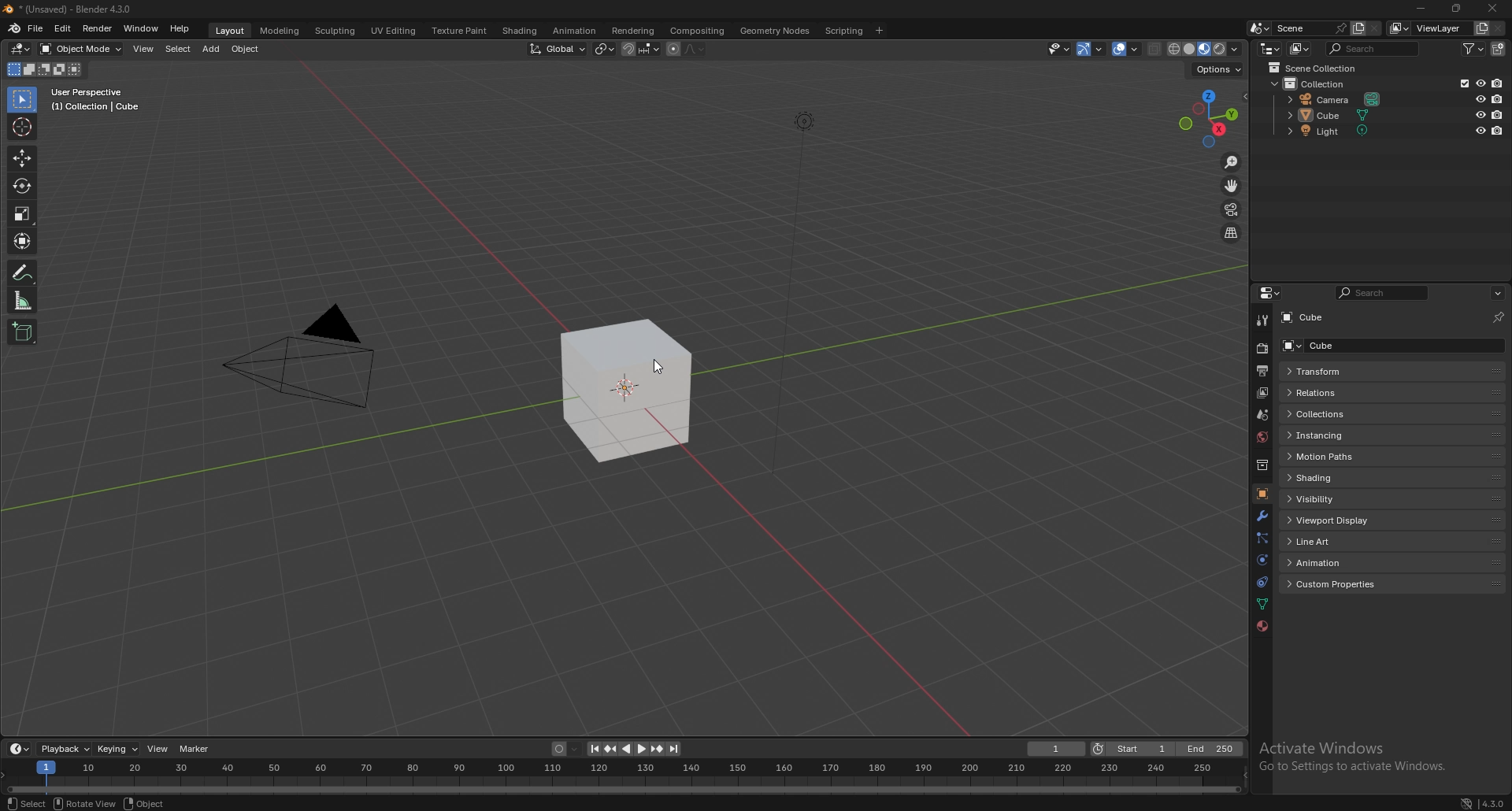 The height and width of the screenshot is (811, 1512). I want to click on annotate, so click(21, 272).